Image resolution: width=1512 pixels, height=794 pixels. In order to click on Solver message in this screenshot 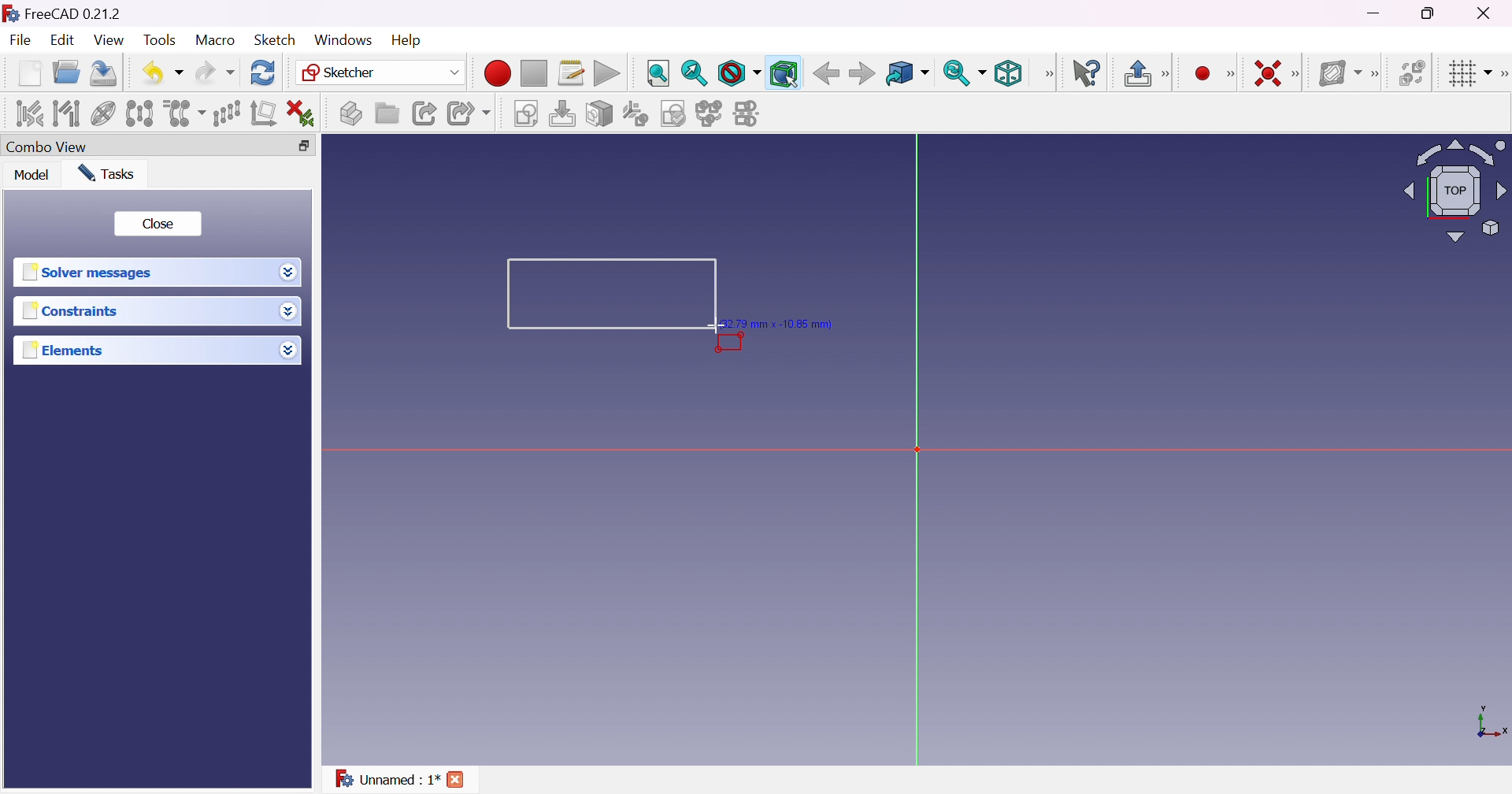, I will do `click(91, 273)`.